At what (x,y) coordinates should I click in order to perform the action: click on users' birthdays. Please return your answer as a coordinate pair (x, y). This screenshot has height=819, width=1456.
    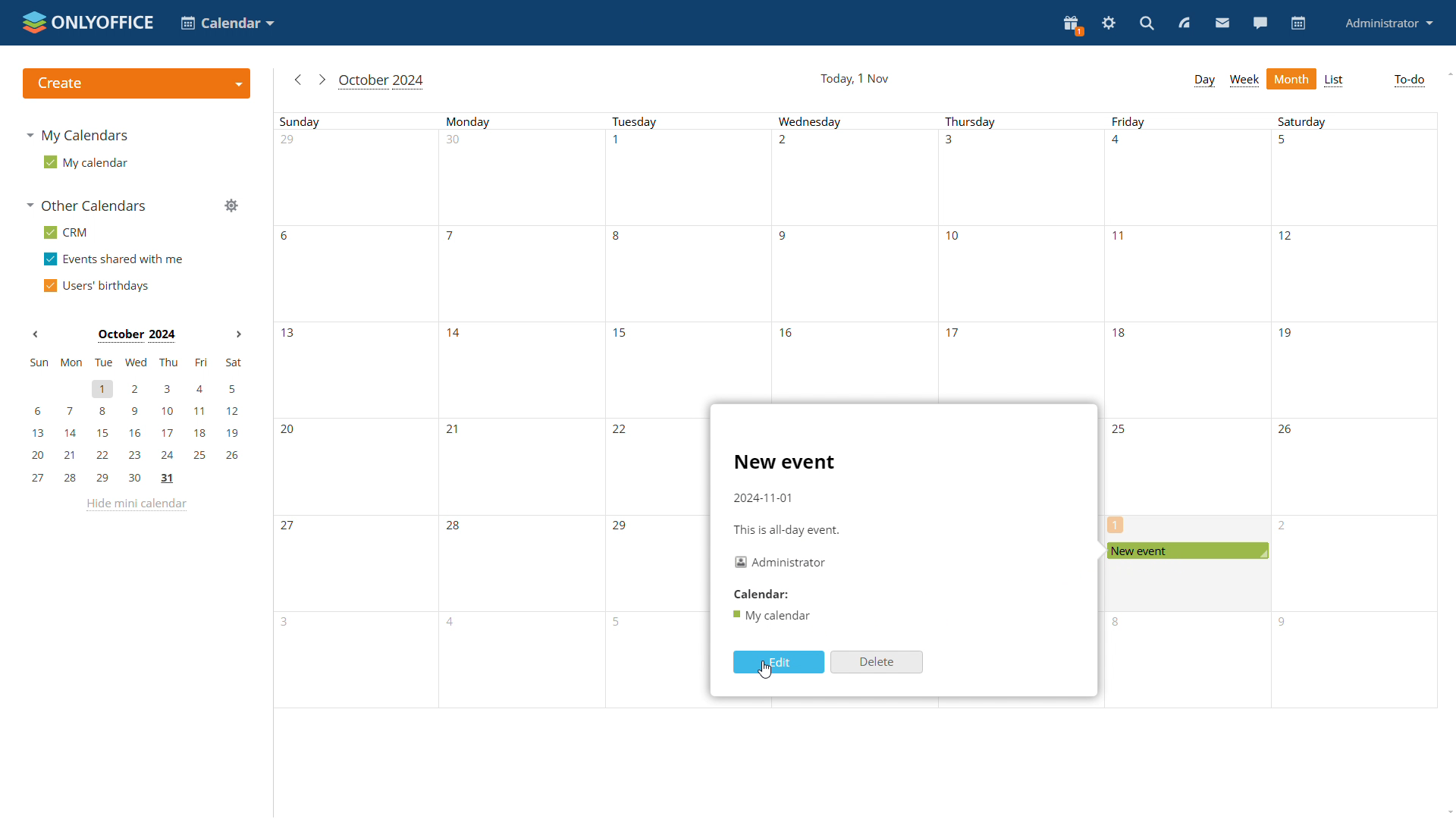
    Looking at the image, I should click on (100, 285).